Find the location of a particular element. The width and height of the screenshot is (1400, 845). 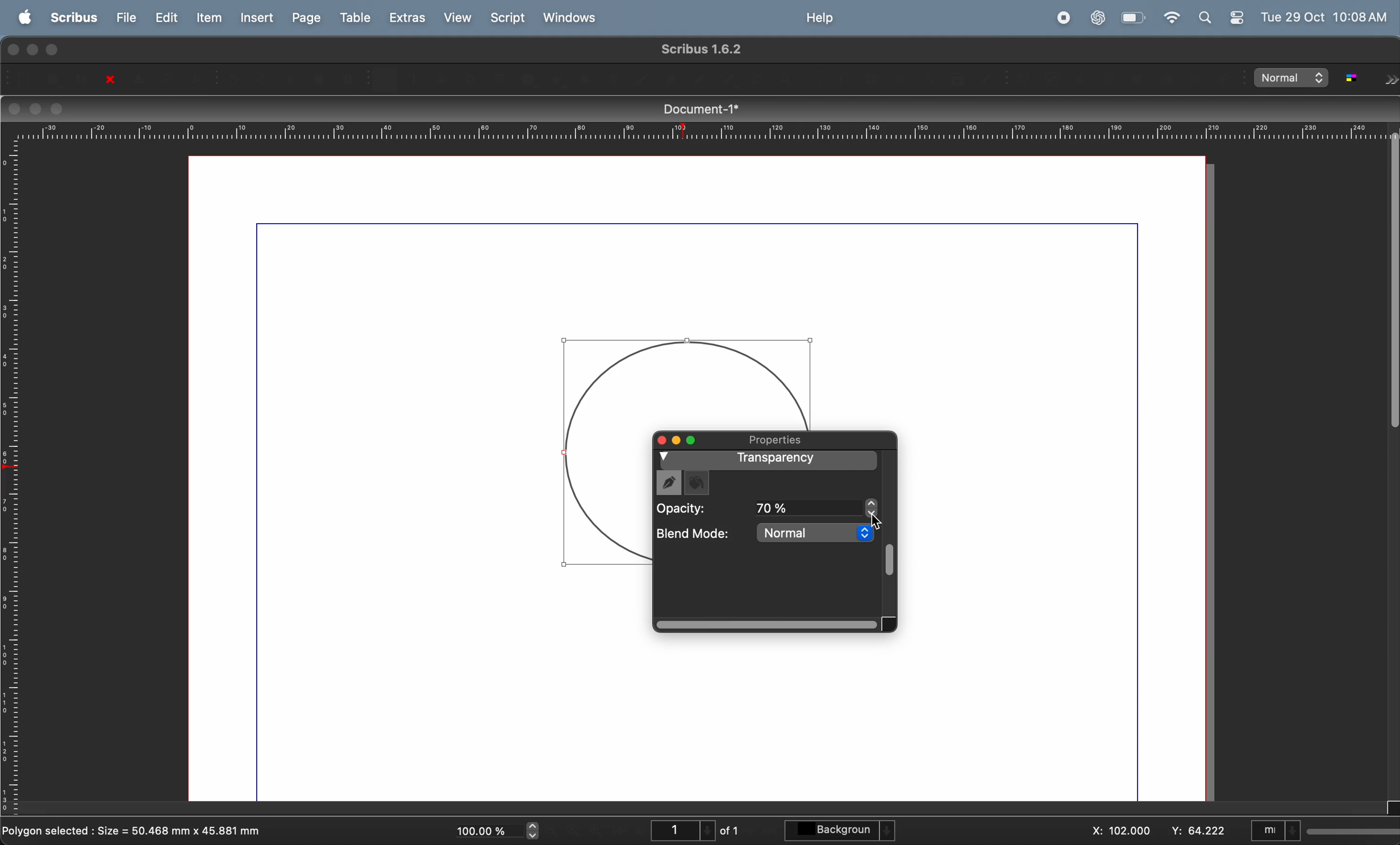

maximize is located at coordinates (658, 440).